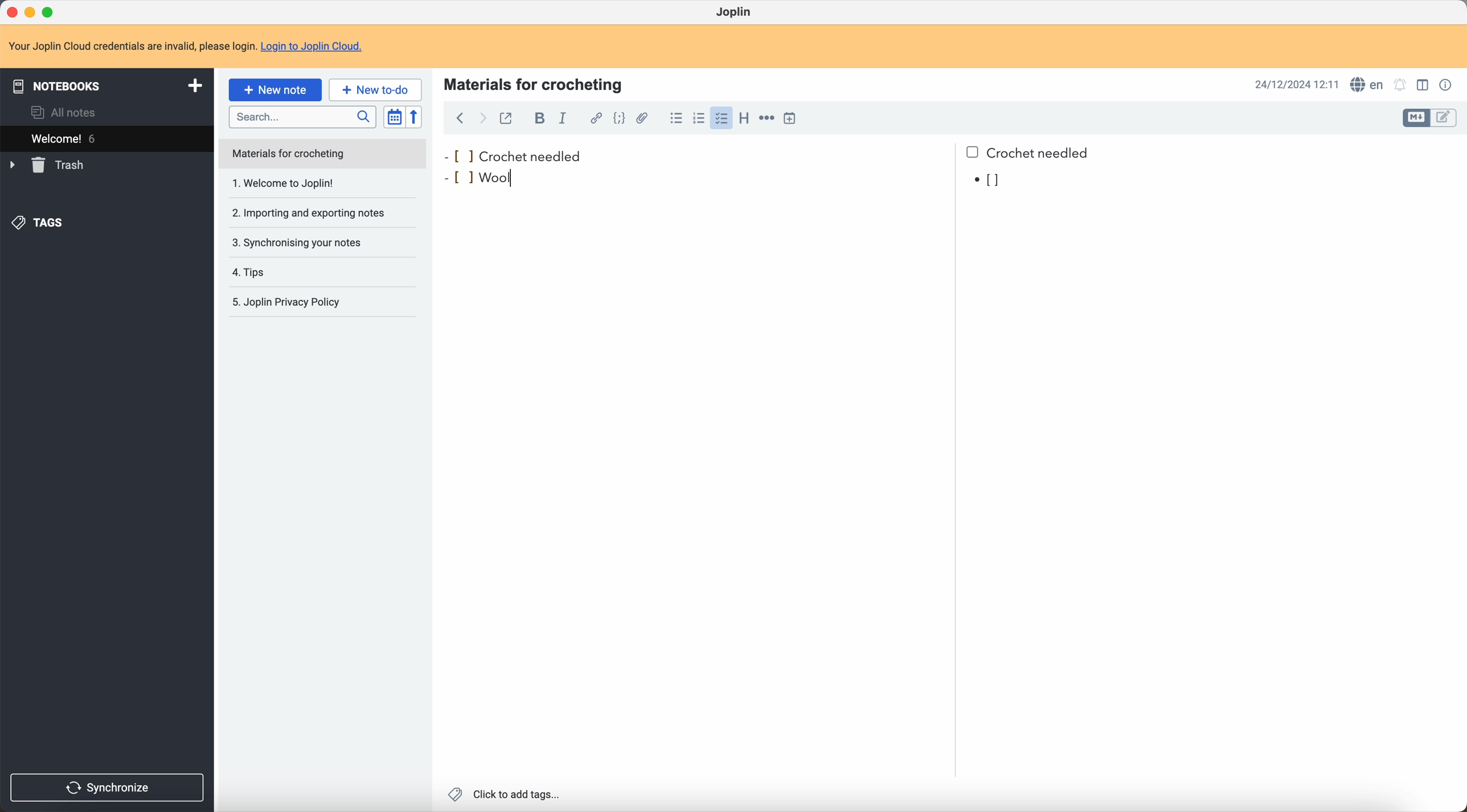 The image size is (1467, 812). Describe the element at coordinates (293, 304) in the screenshot. I see `Joplin privacy policy` at that location.